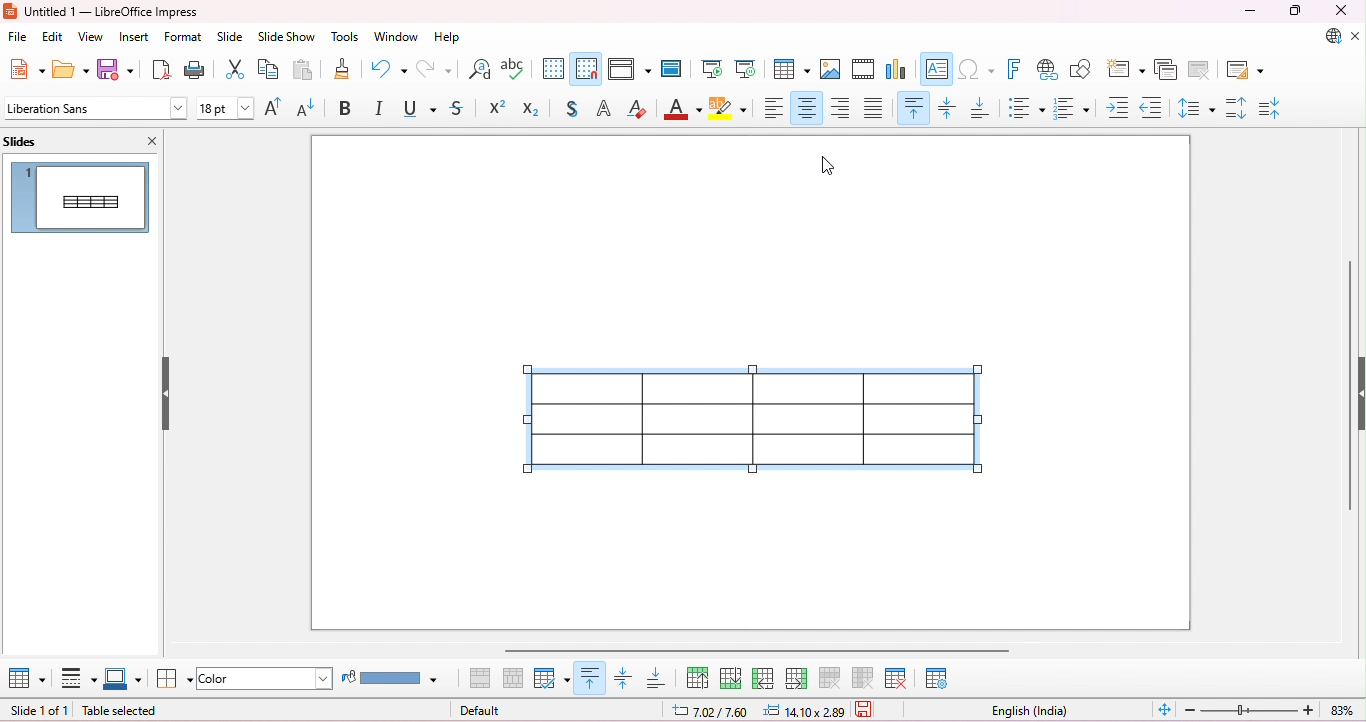 Image resolution: width=1366 pixels, height=722 pixels. I want to click on redo, so click(434, 69).